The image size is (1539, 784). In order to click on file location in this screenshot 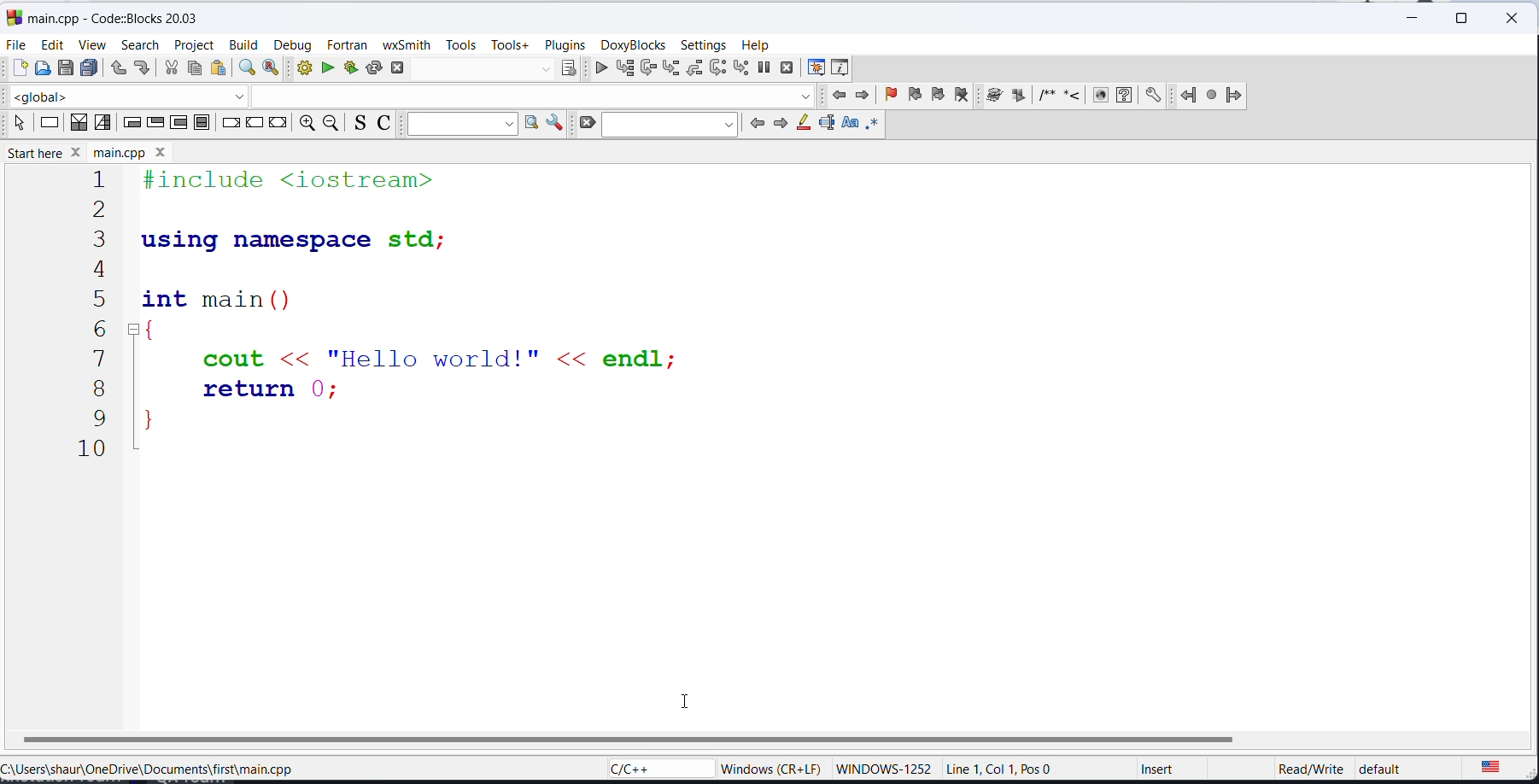, I will do `click(163, 769)`.